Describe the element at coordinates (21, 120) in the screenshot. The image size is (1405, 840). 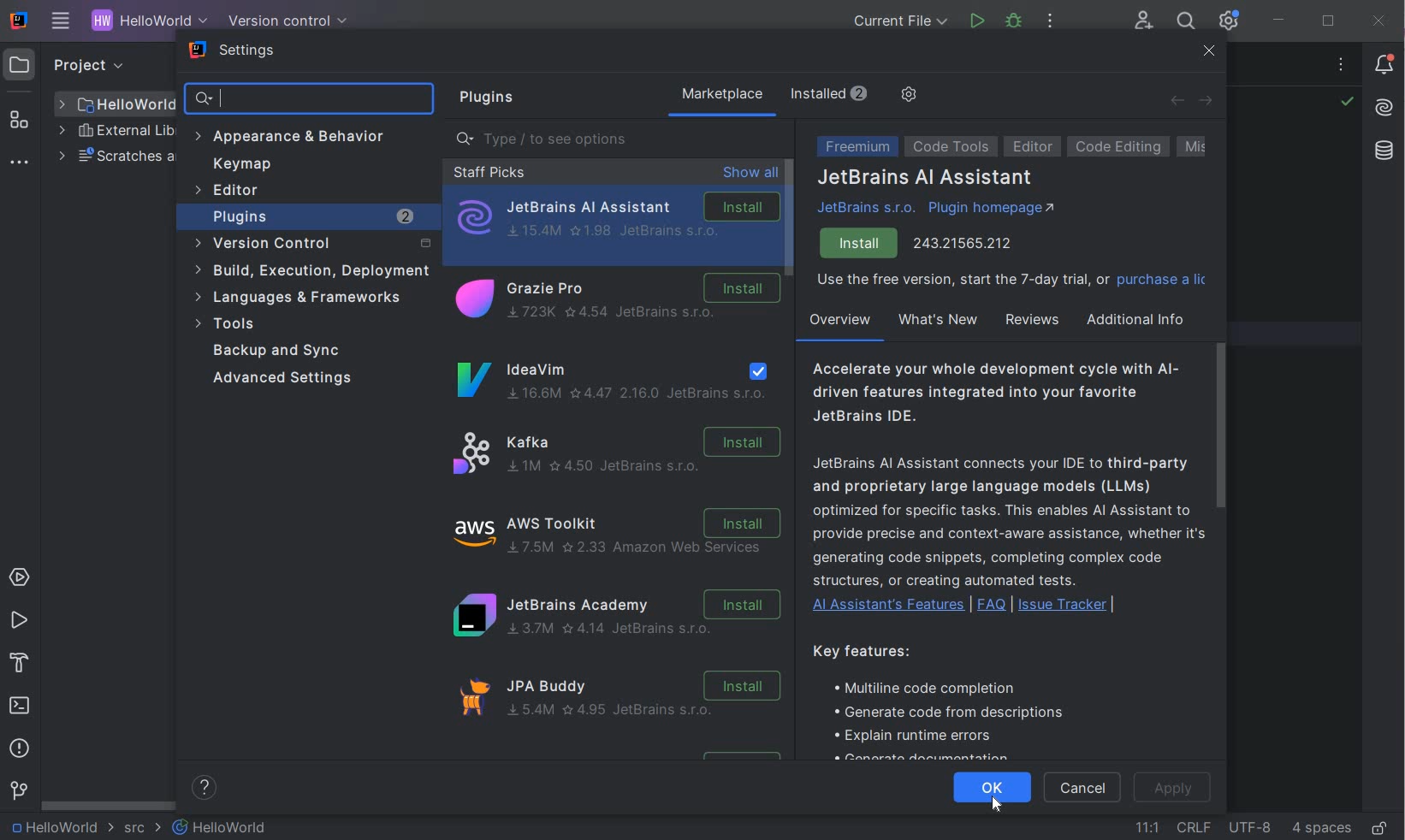
I see `STRUCTURE` at that location.